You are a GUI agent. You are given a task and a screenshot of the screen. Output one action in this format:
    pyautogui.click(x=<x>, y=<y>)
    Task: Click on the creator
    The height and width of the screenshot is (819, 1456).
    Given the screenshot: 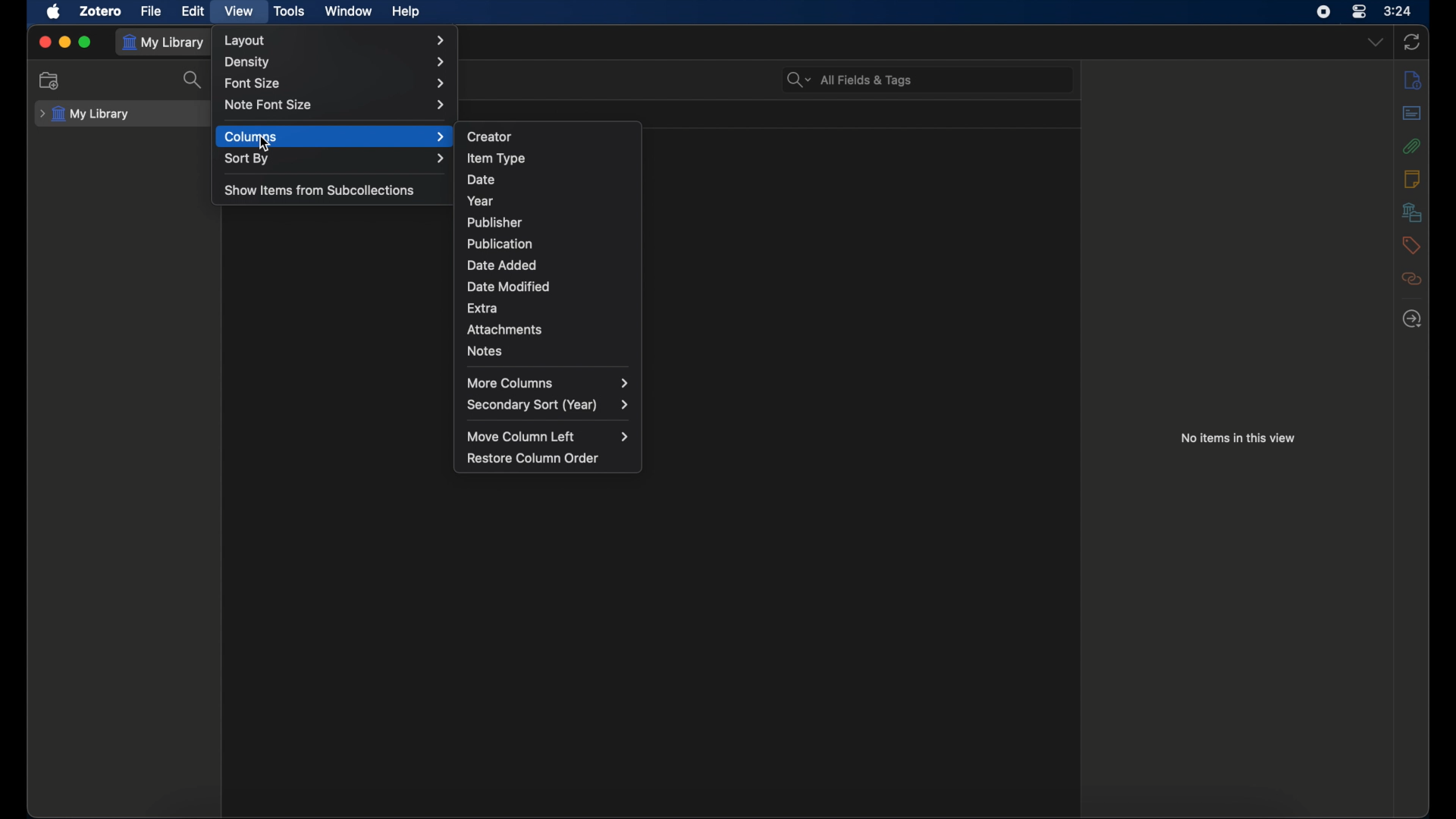 What is the action you would take?
    pyautogui.click(x=490, y=137)
    